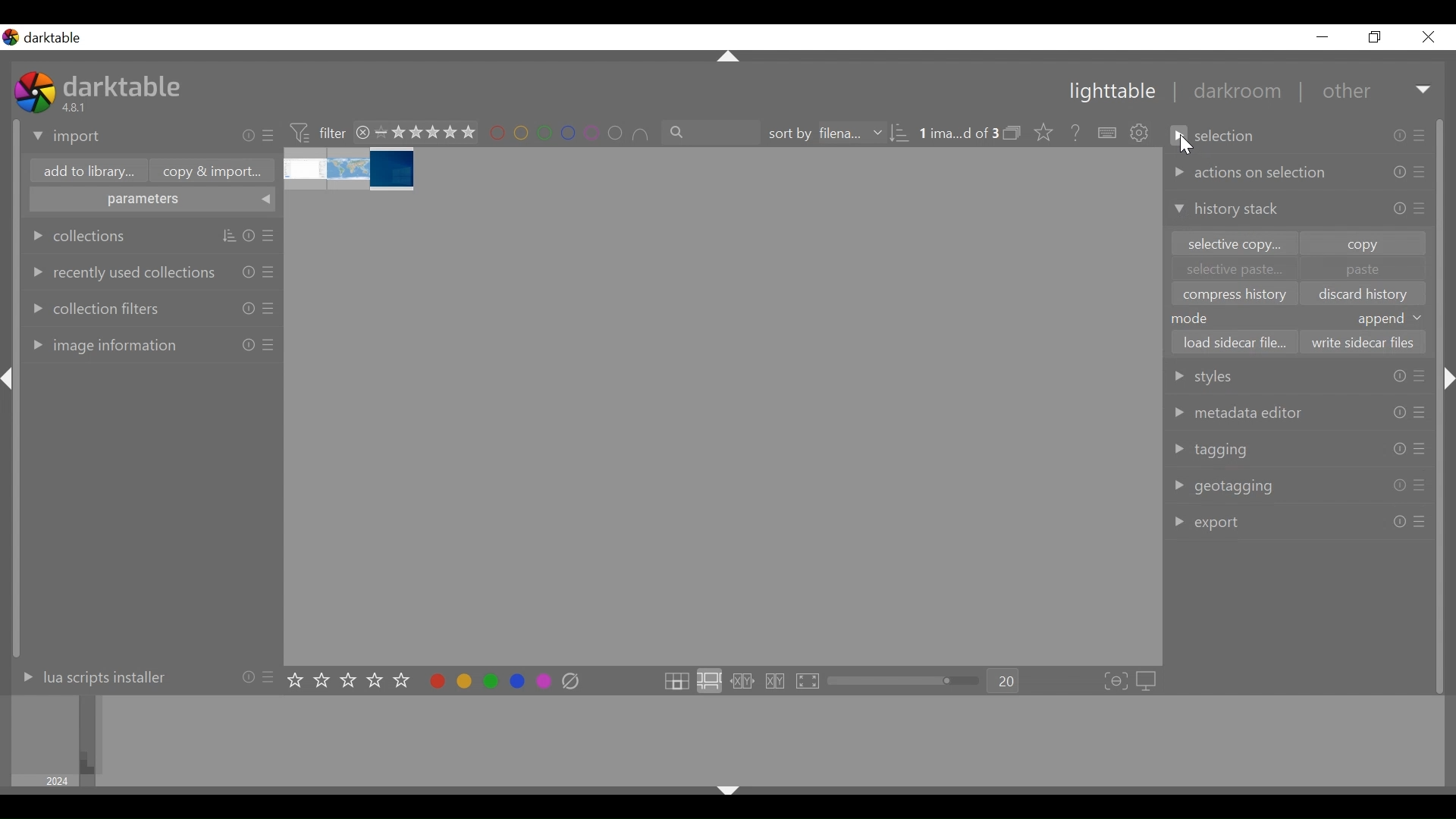 The height and width of the screenshot is (819, 1456). Describe the element at coordinates (1373, 37) in the screenshot. I see `restore` at that location.